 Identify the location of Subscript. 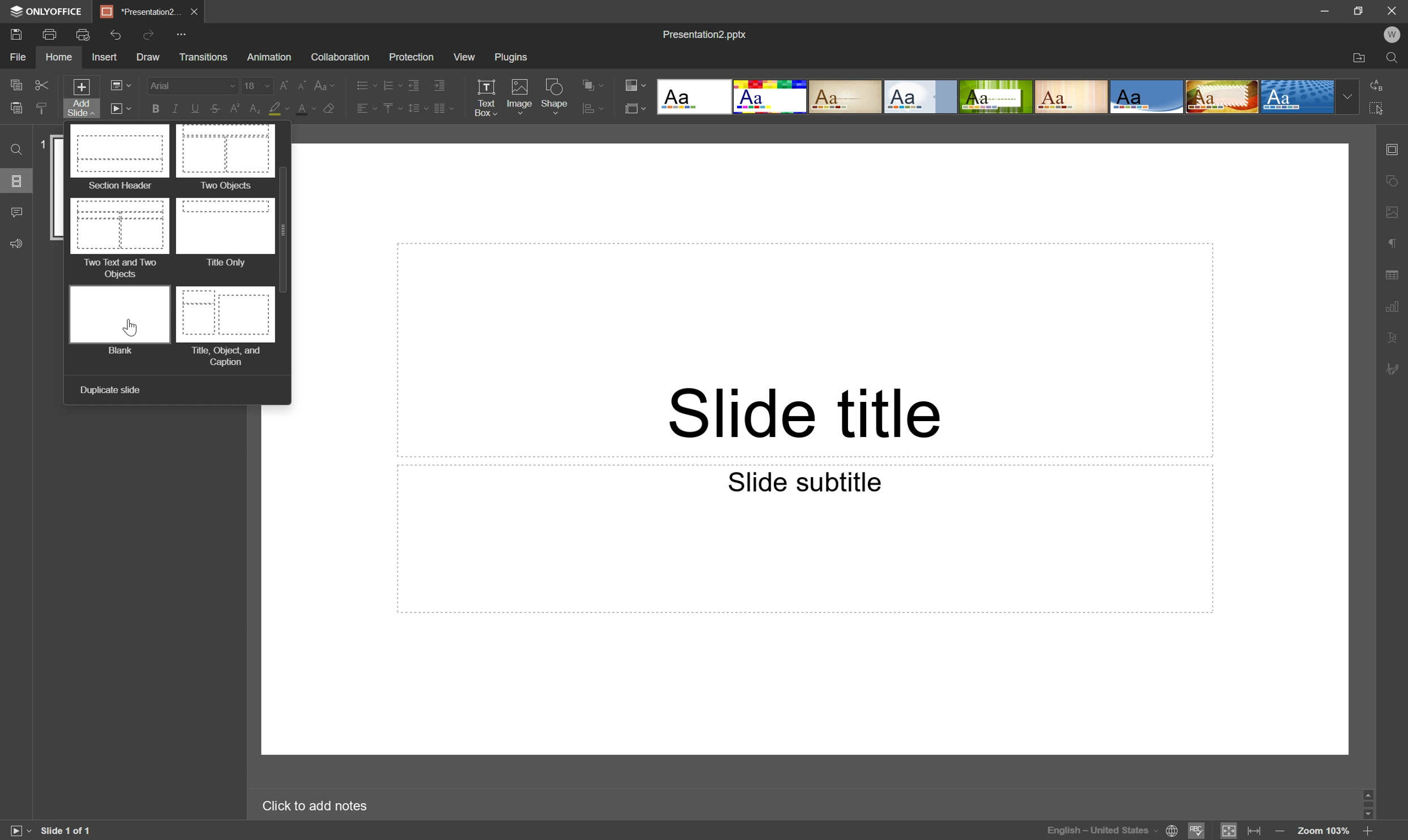
(257, 107).